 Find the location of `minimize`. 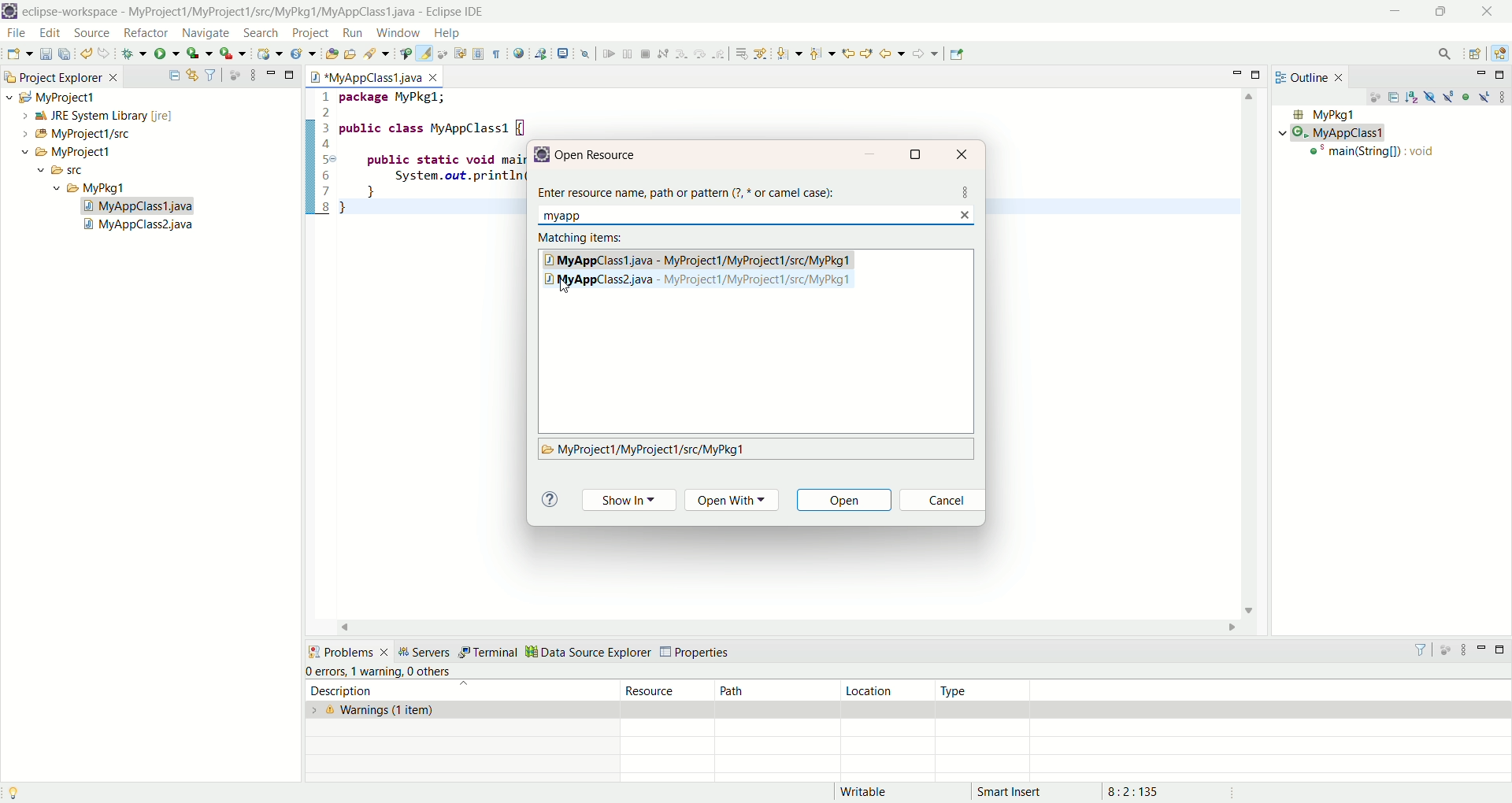

minimize is located at coordinates (1240, 72).